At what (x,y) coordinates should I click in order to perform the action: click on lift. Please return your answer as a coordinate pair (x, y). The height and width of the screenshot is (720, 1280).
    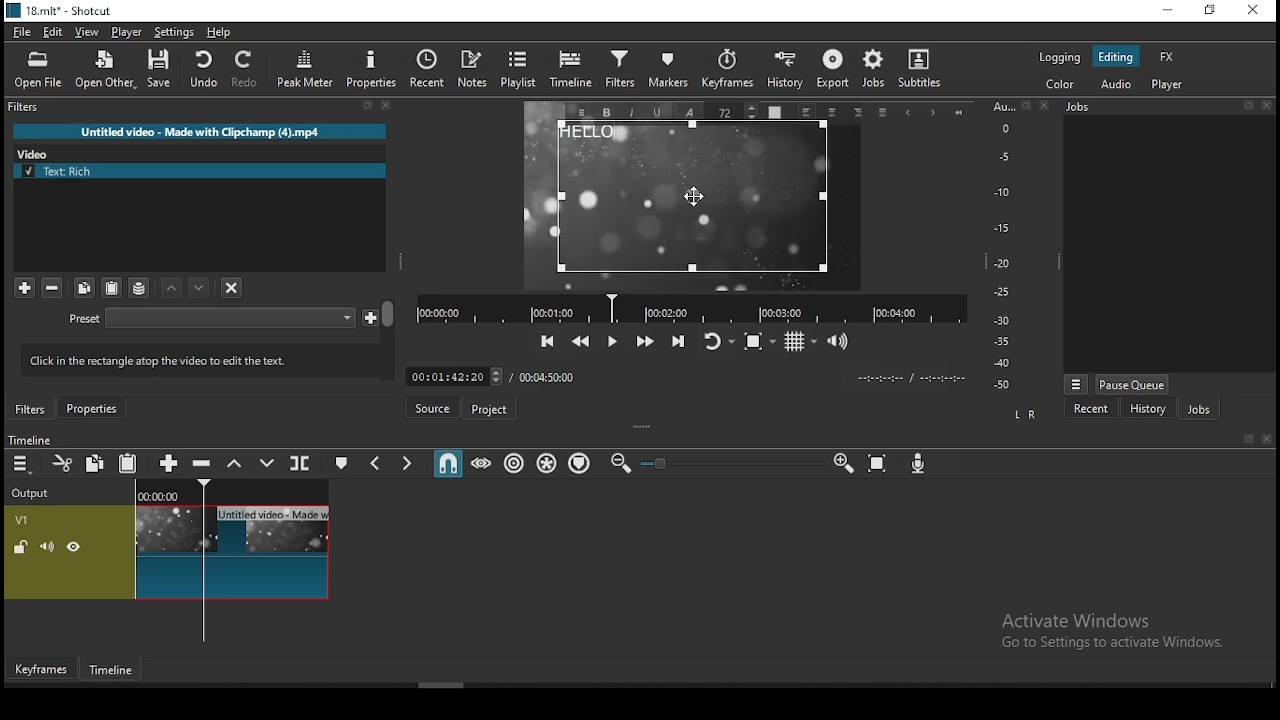
    Looking at the image, I should click on (235, 462).